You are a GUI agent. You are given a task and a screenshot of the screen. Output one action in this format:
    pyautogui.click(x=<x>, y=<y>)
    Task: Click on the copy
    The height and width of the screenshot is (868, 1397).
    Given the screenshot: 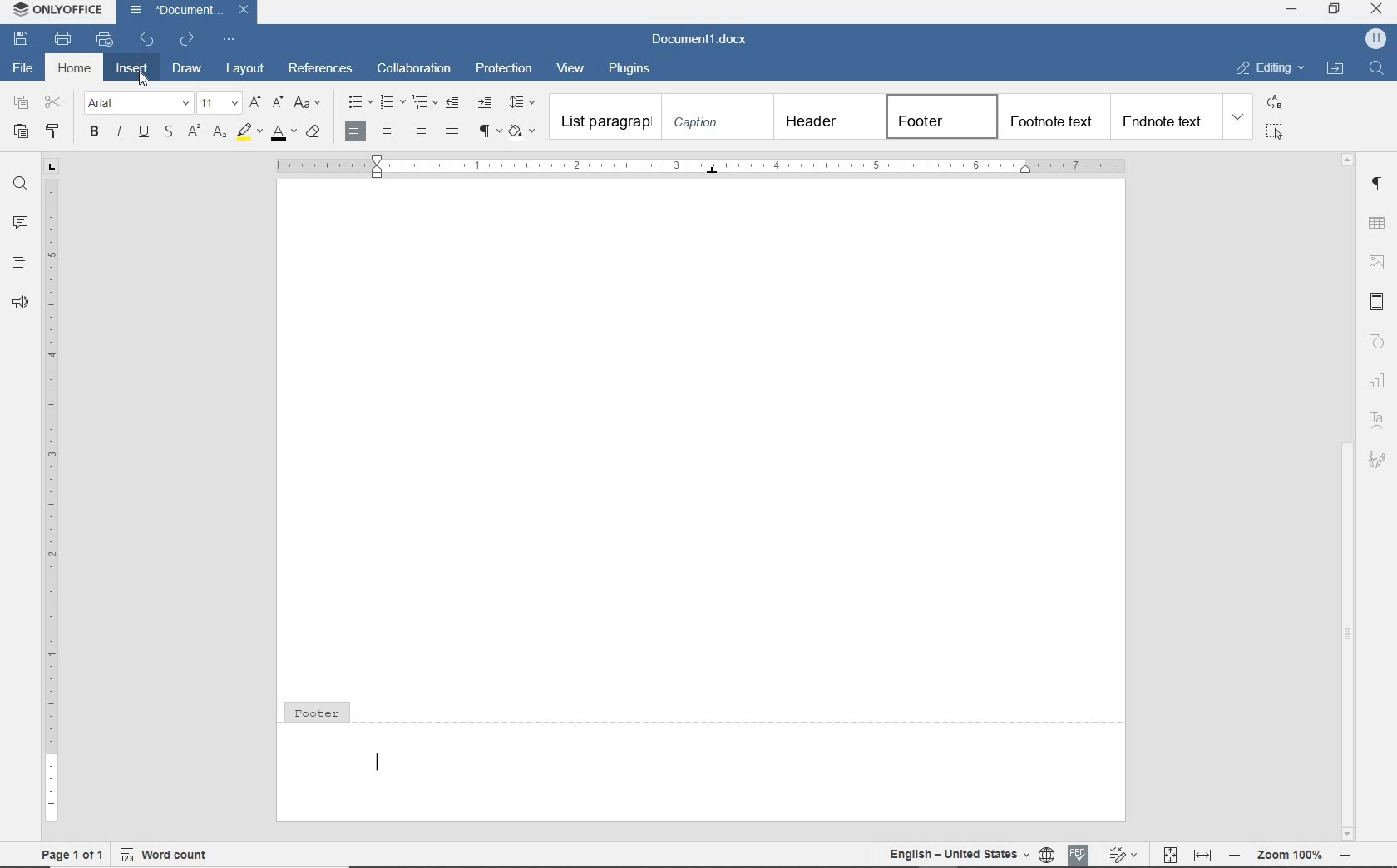 What is the action you would take?
    pyautogui.click(x=22, y=102)
    